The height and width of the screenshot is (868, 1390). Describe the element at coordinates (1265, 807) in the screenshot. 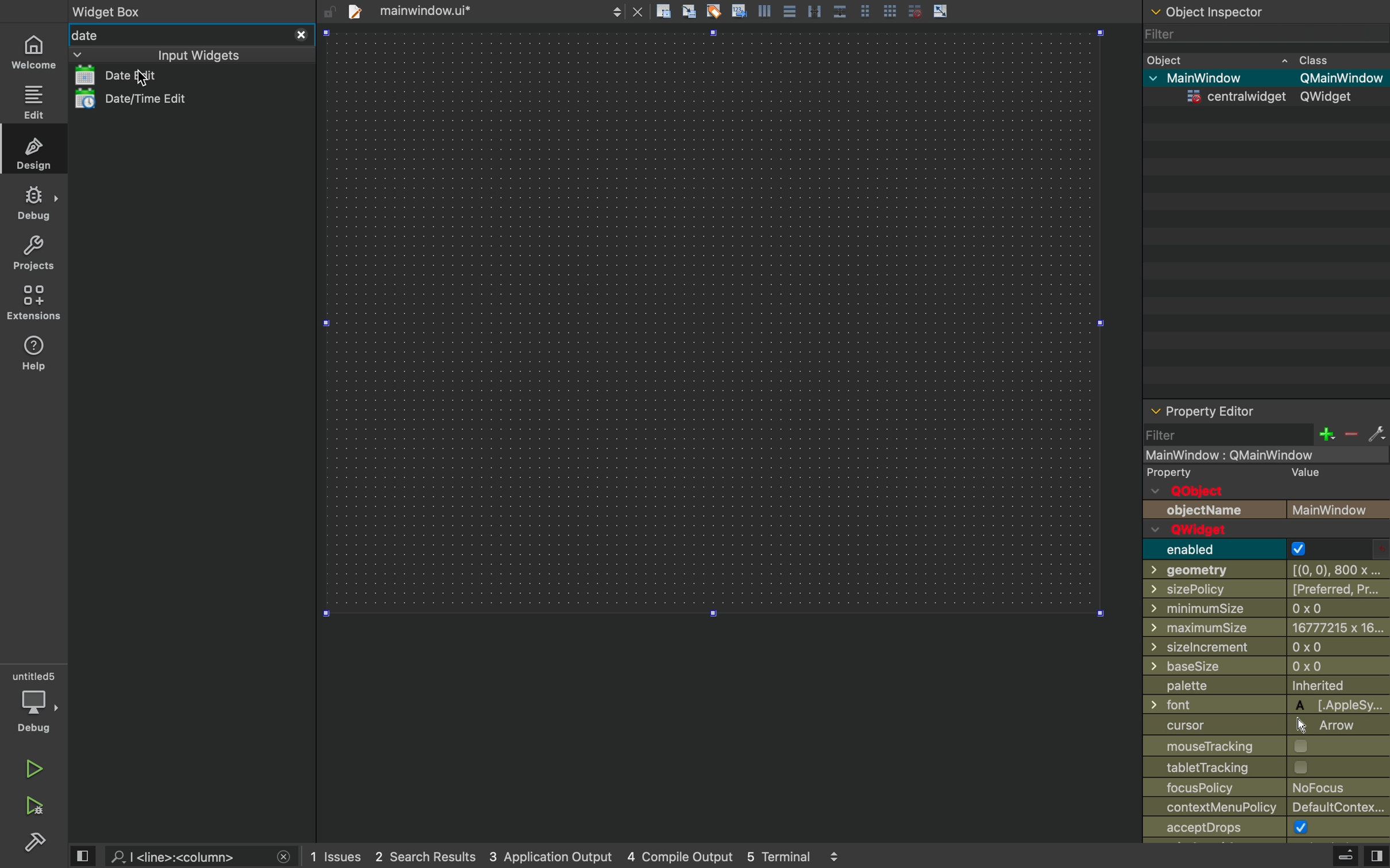

I see `contextmenupolicy` at that location.